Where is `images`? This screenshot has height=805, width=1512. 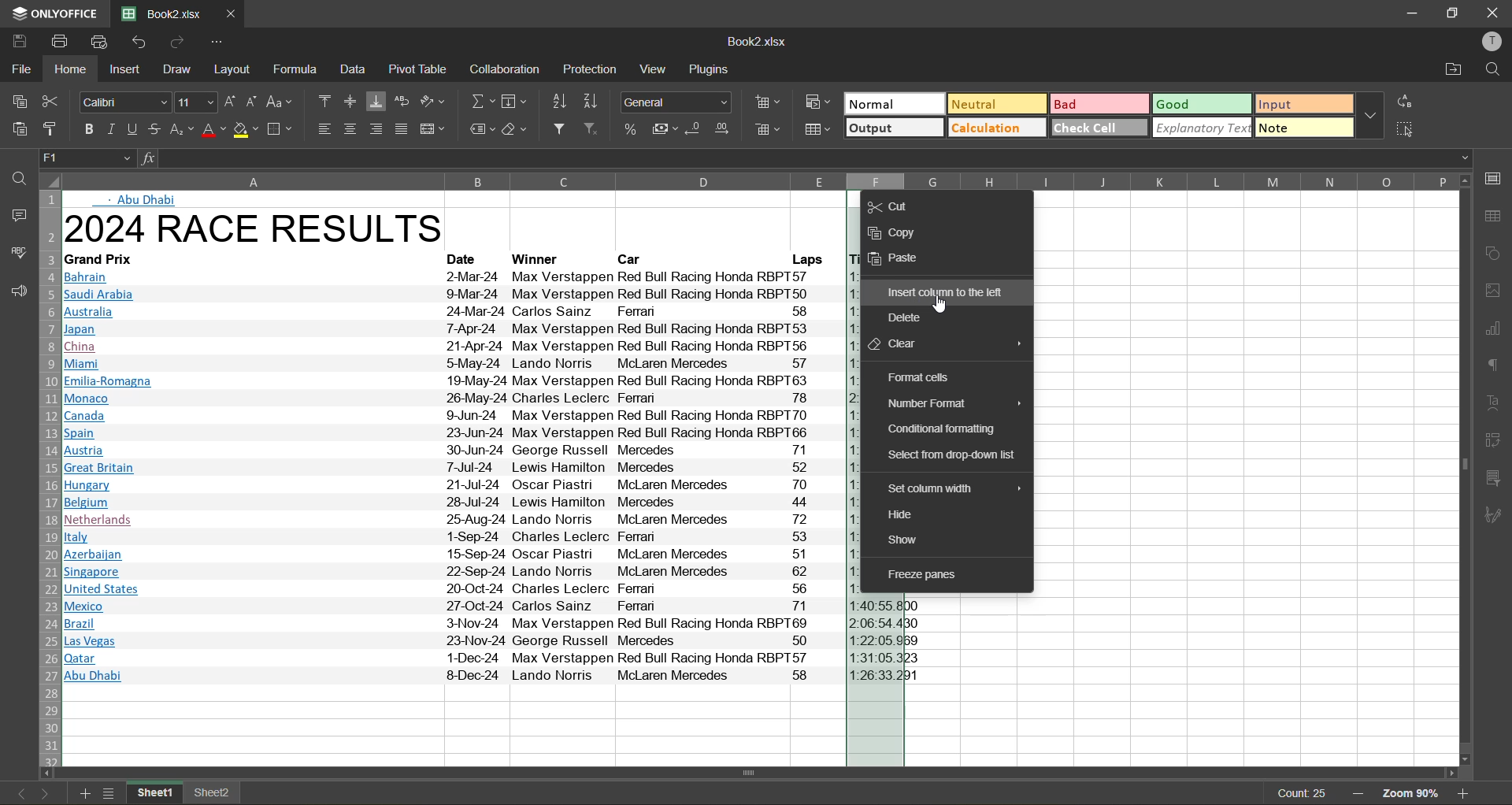 images is located at coordinates (1497, 290).